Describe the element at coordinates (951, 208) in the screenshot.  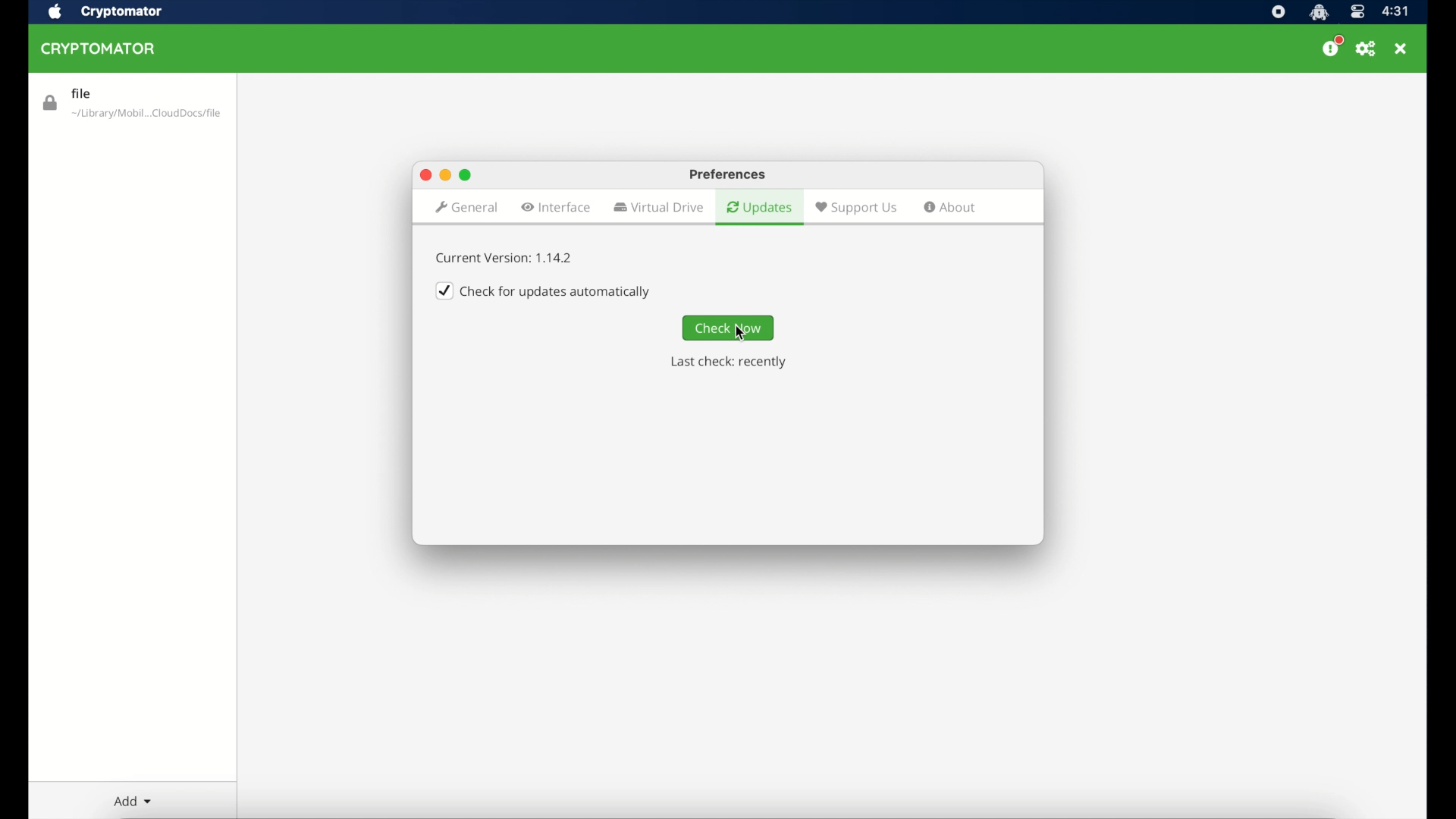
I see `about` at that location.